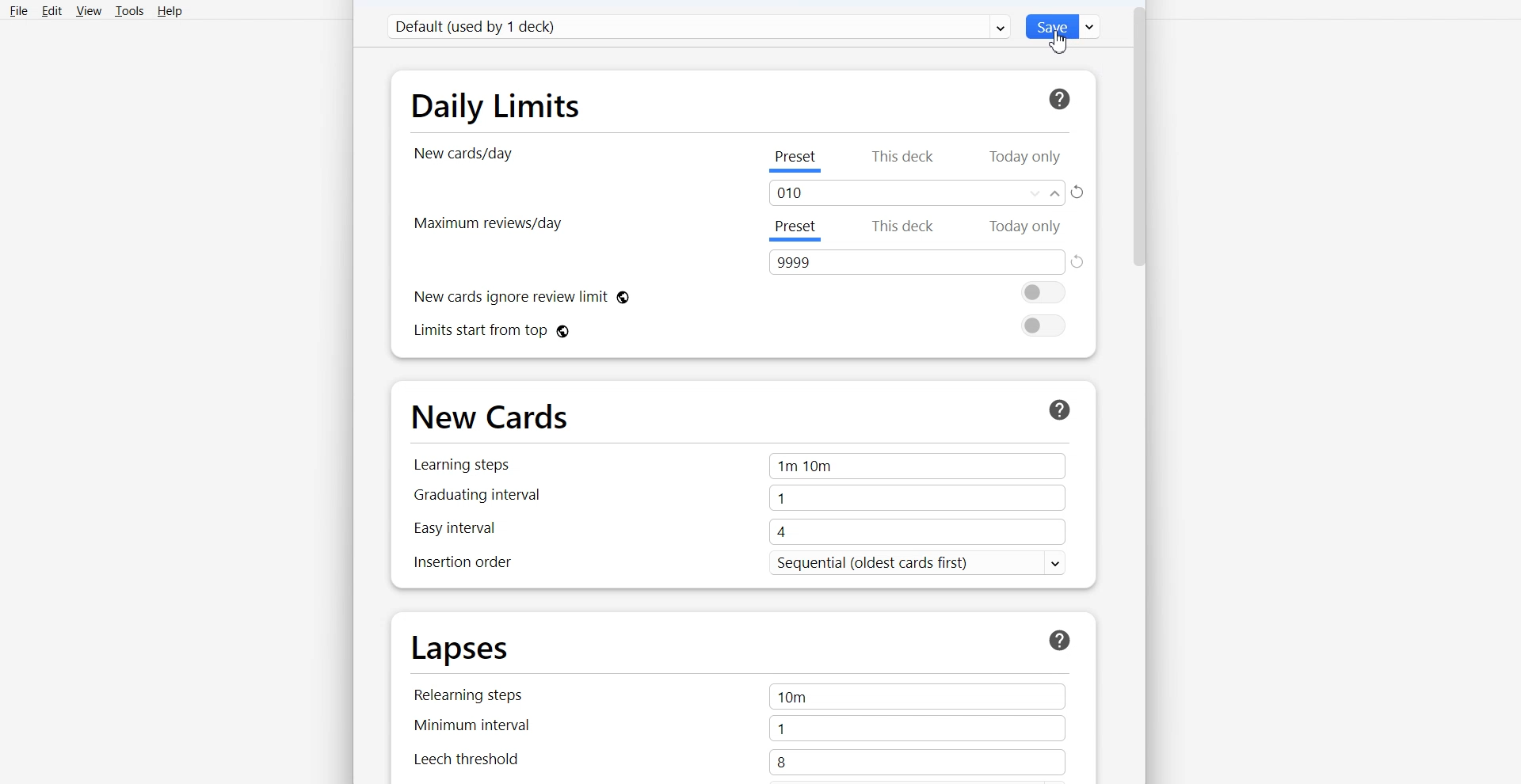 Image resolution: width=1521 pixels, height=784 pixels. I want to click on New Cards, so click(493, 417).